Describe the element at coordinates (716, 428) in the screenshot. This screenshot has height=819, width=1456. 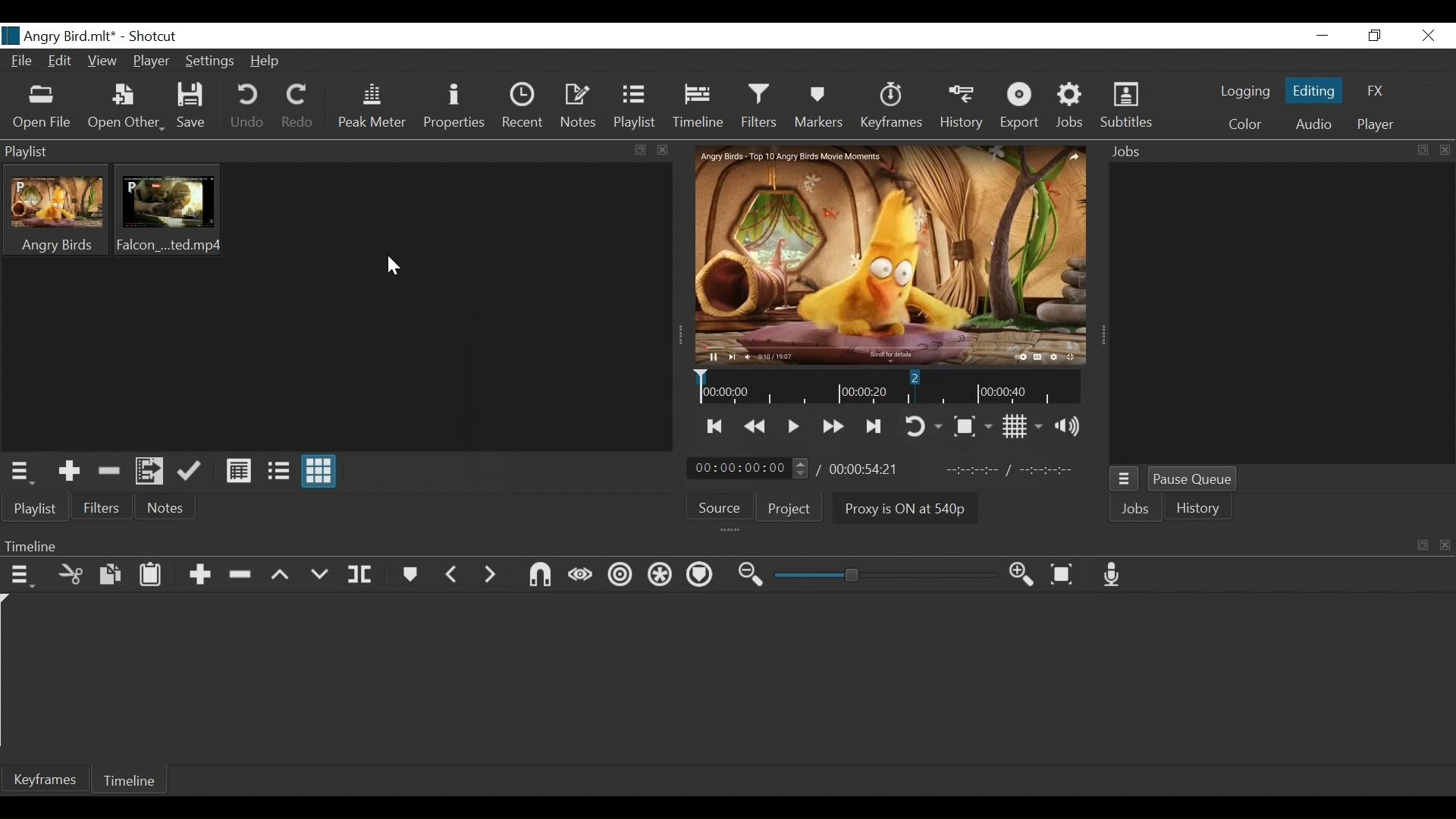
I see `Skip to the previous point` at that location.